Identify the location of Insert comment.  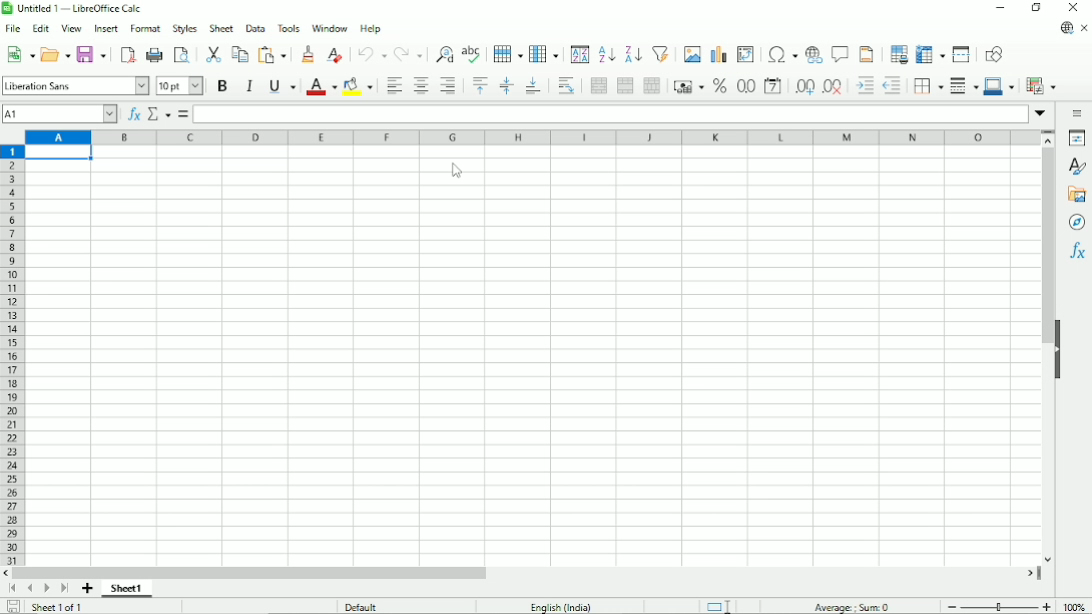
(840, 53).